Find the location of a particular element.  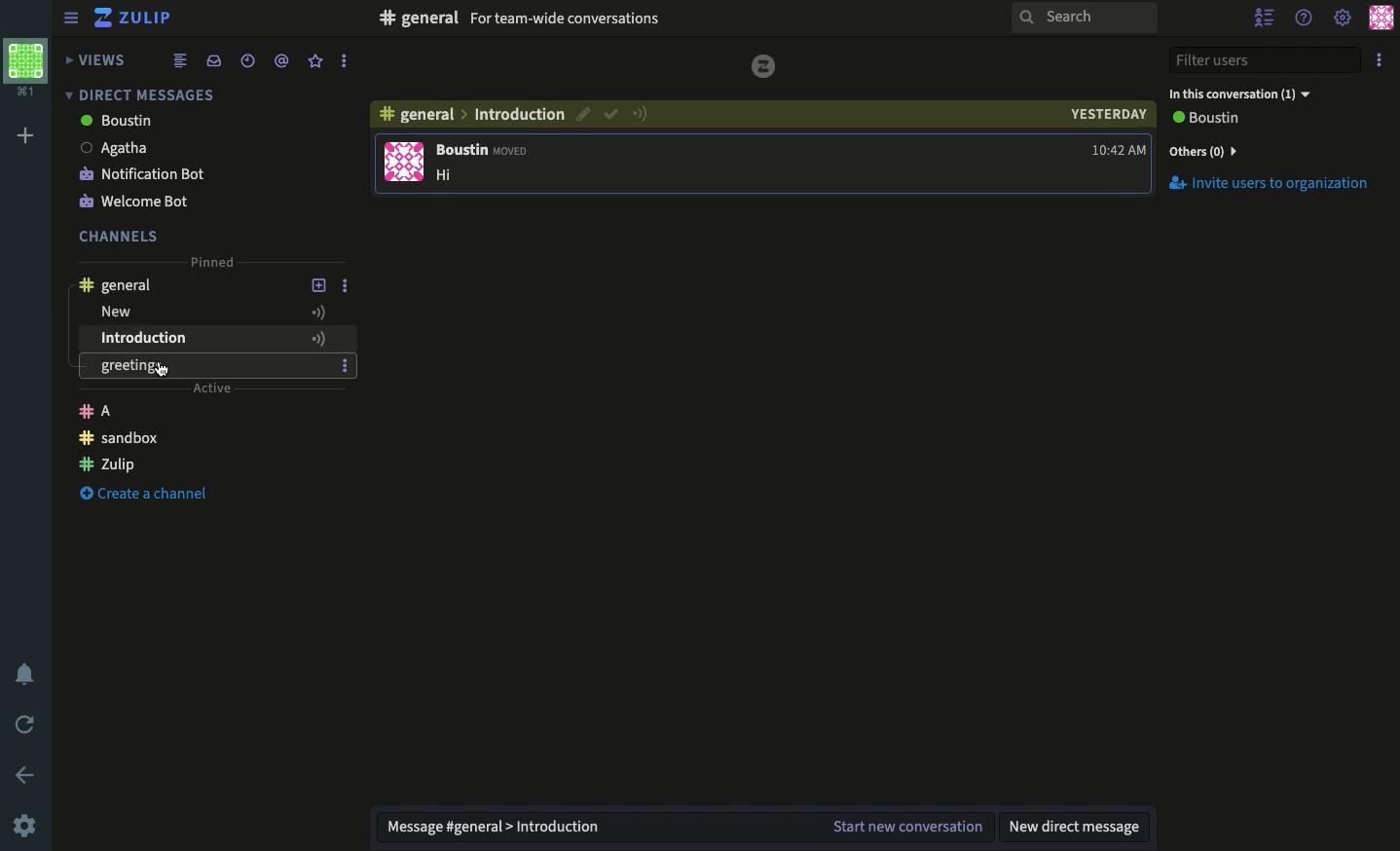

Notification bot is located at coordinates (187, 172).